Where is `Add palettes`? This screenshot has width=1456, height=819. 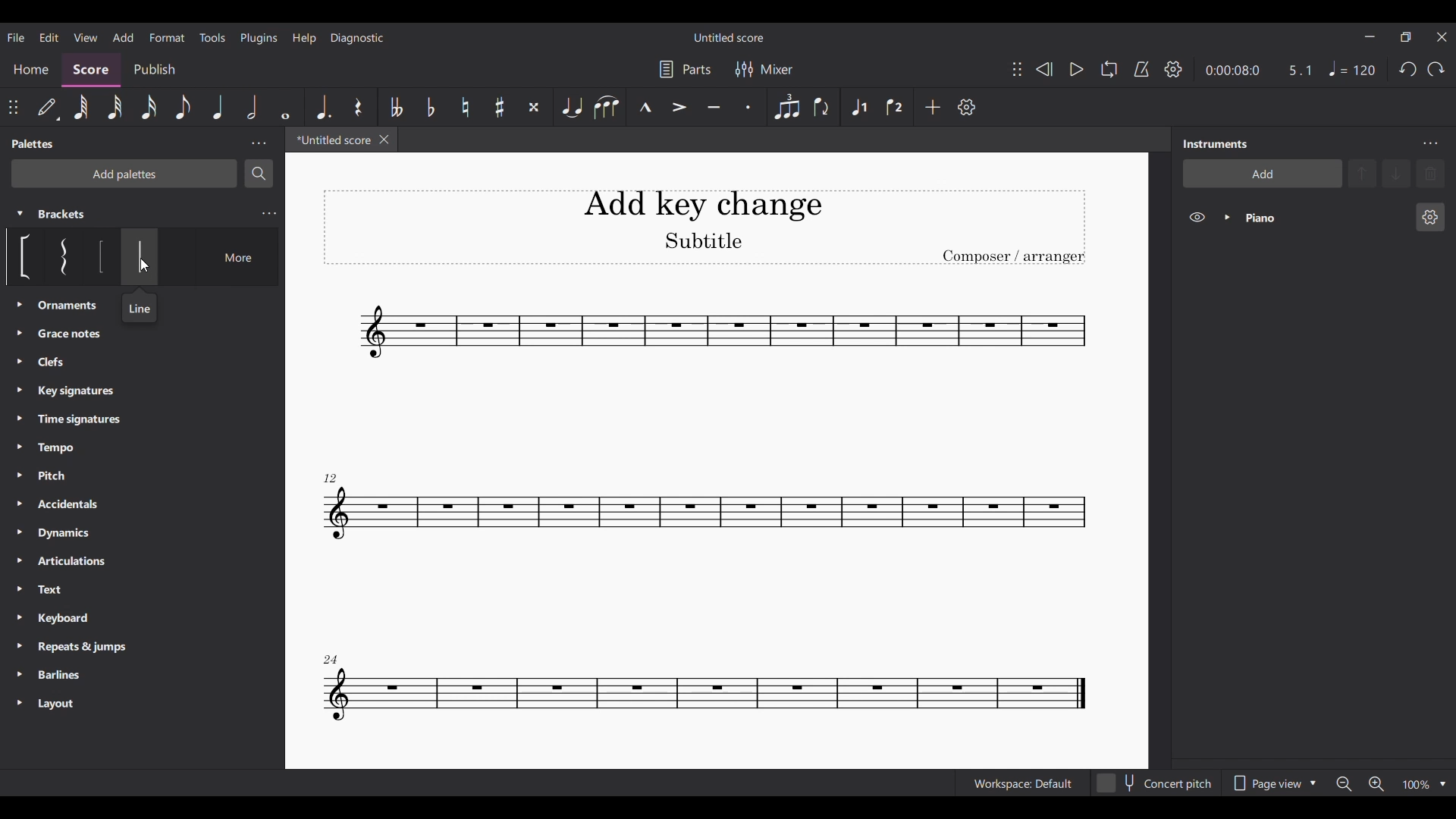 Add palettes is located at coordinates (124, 174).